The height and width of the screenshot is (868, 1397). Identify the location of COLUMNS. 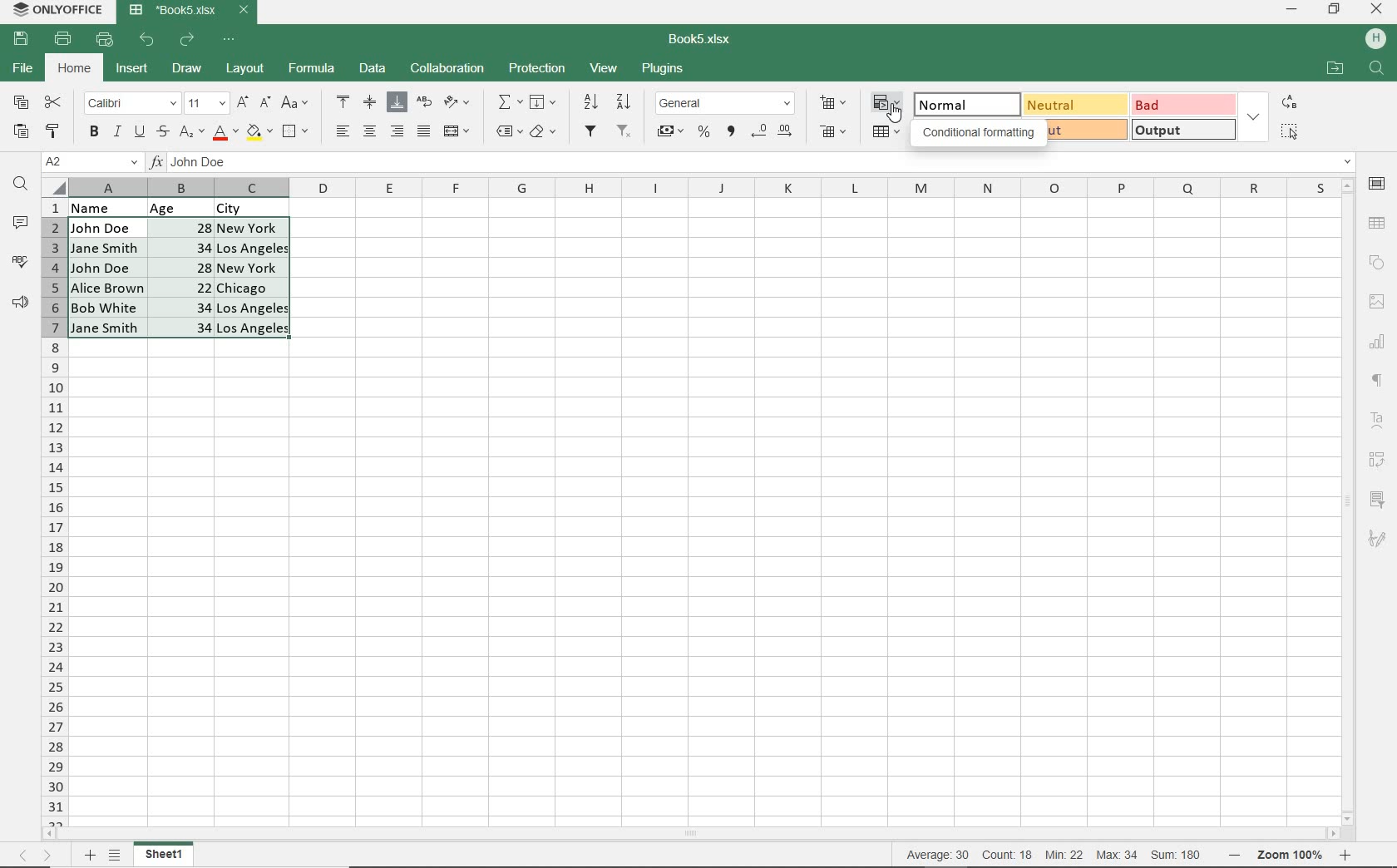
(701, 187).